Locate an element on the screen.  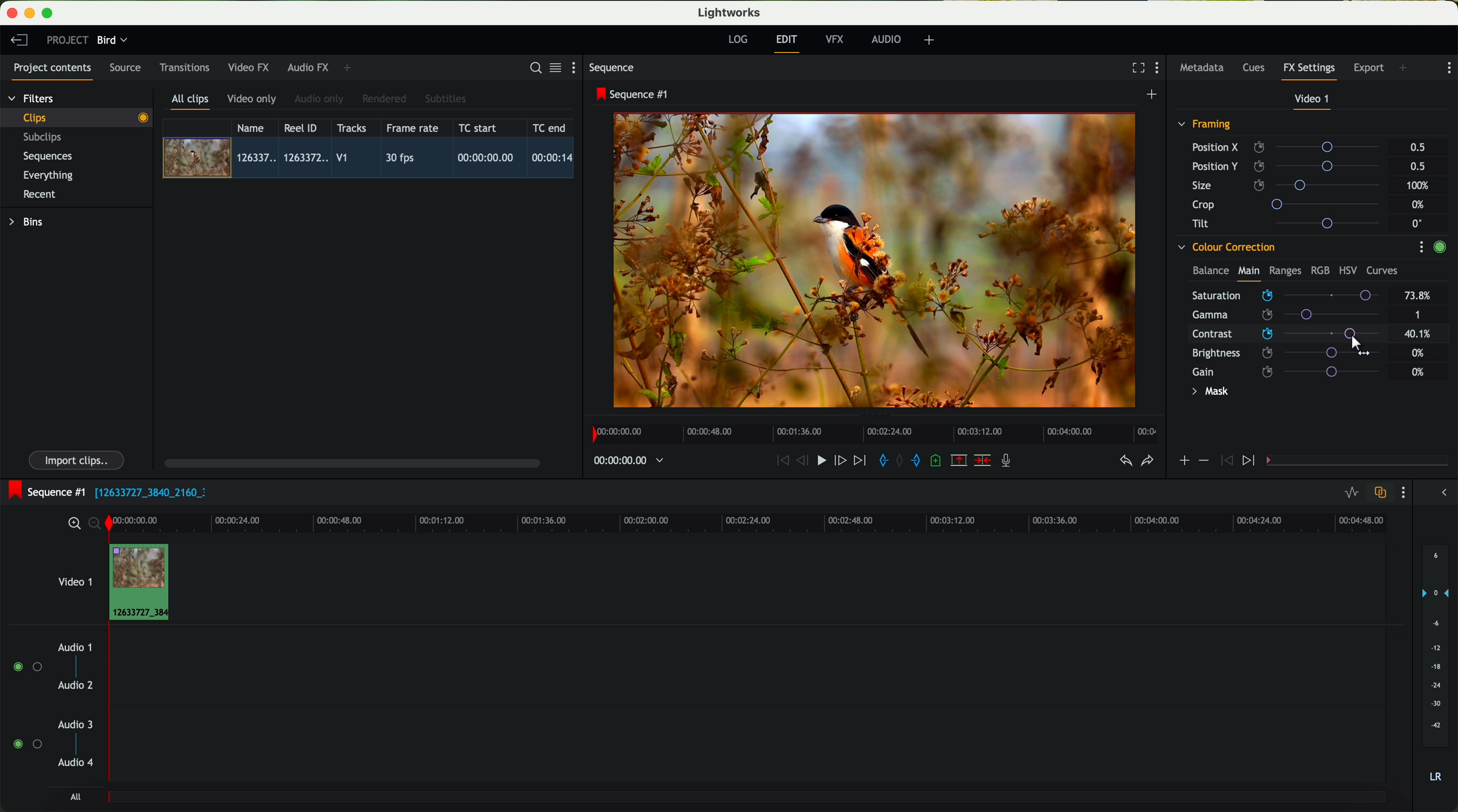
audio 2 is located at coordinates (76, 686).